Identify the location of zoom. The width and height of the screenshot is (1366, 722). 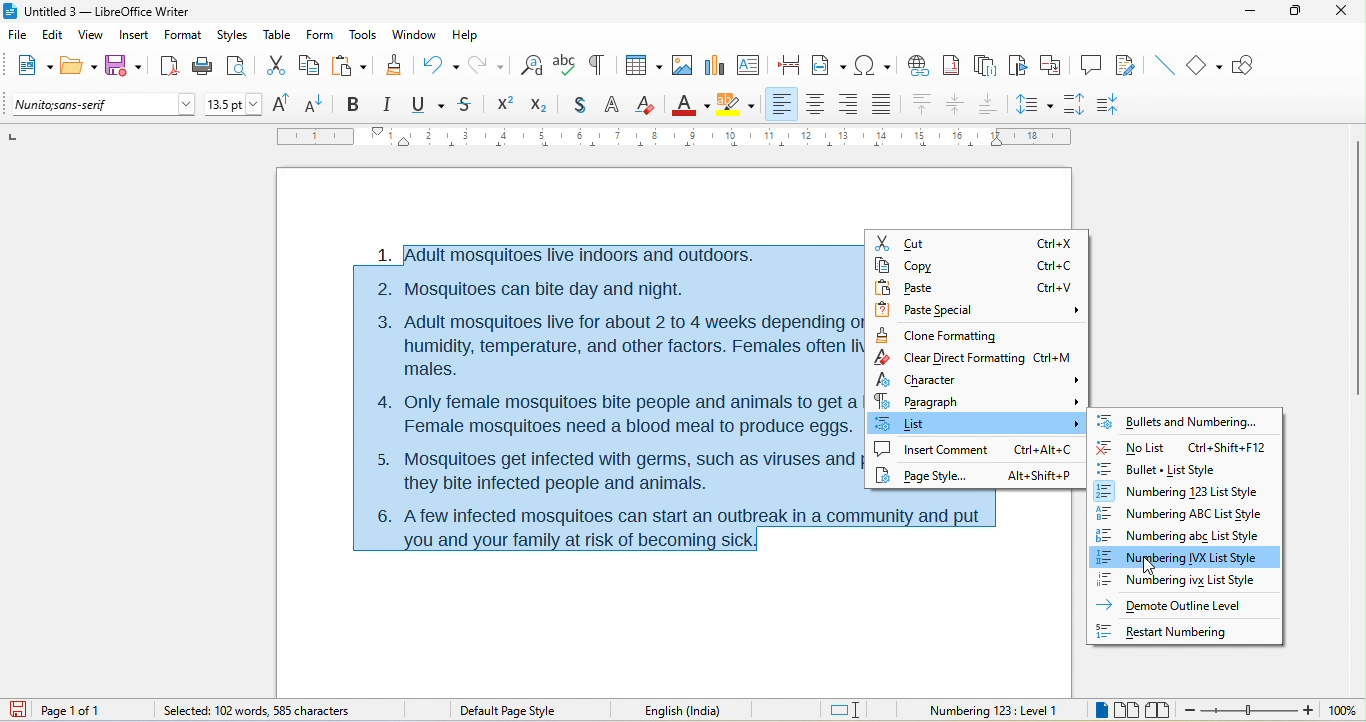
(1272, 711).